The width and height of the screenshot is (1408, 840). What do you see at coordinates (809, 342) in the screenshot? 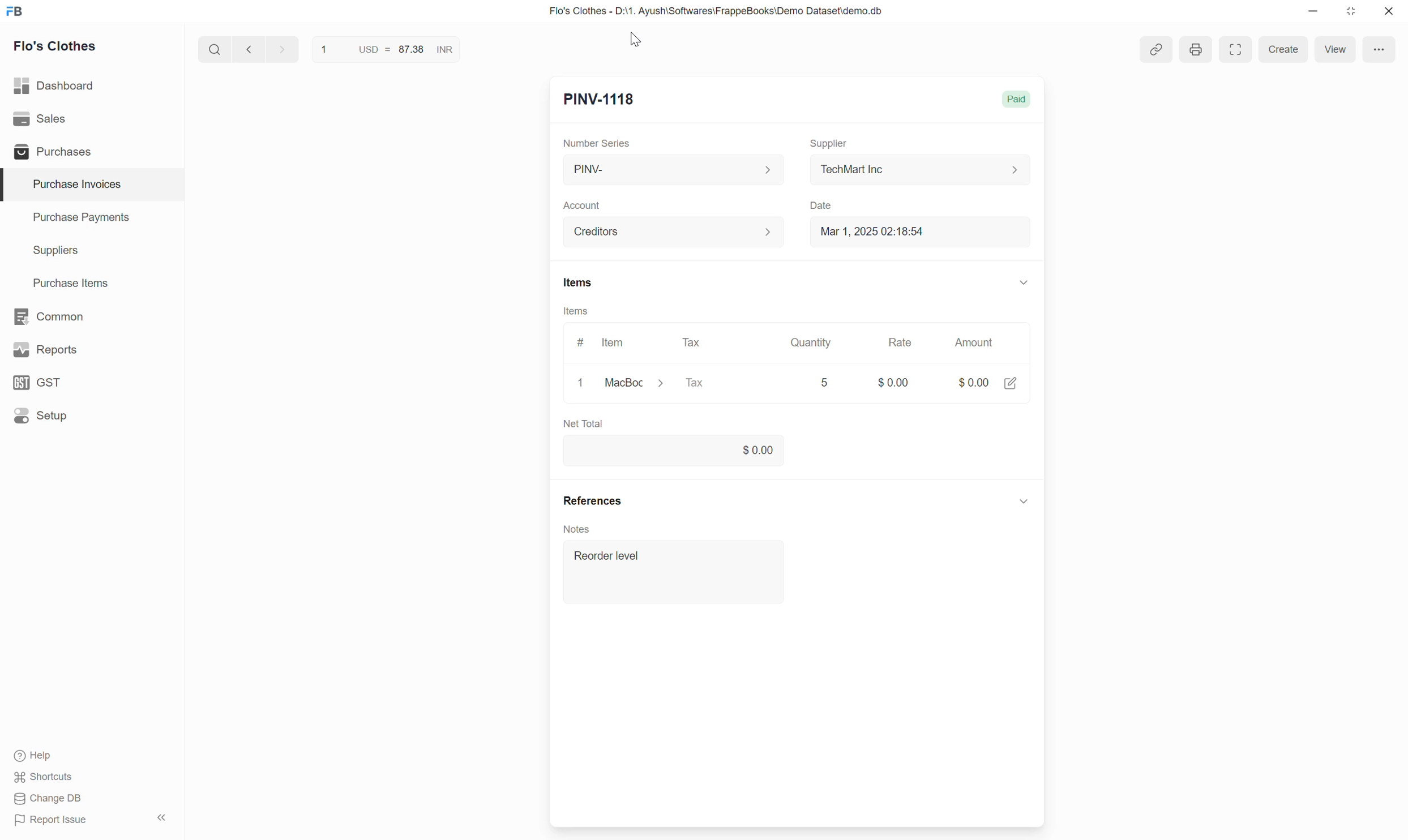
I see `Quantity` at bounding box center [809, 342].